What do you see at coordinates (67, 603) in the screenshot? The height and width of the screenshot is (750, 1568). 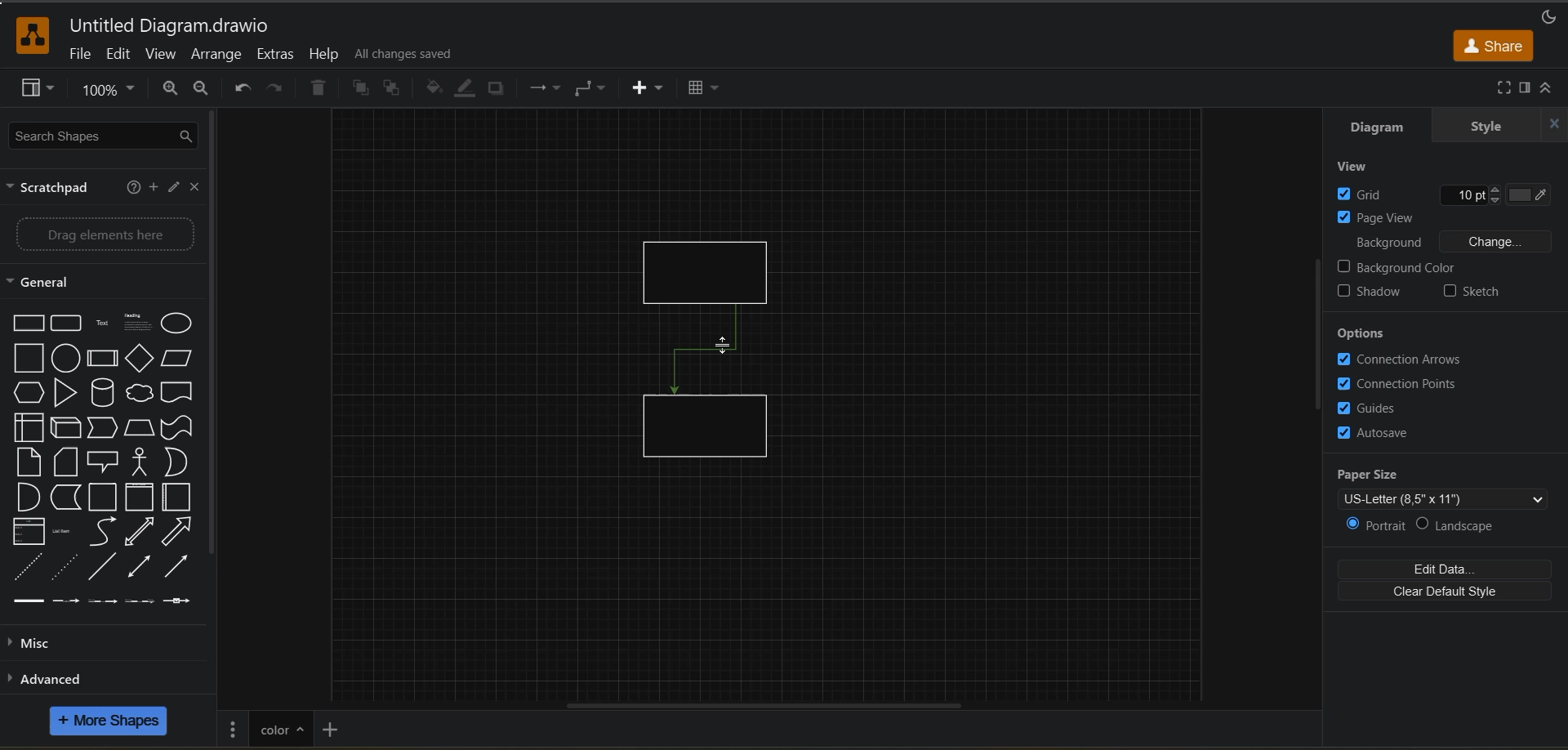 I see `Connector with label` at bounding box center [67, 603].